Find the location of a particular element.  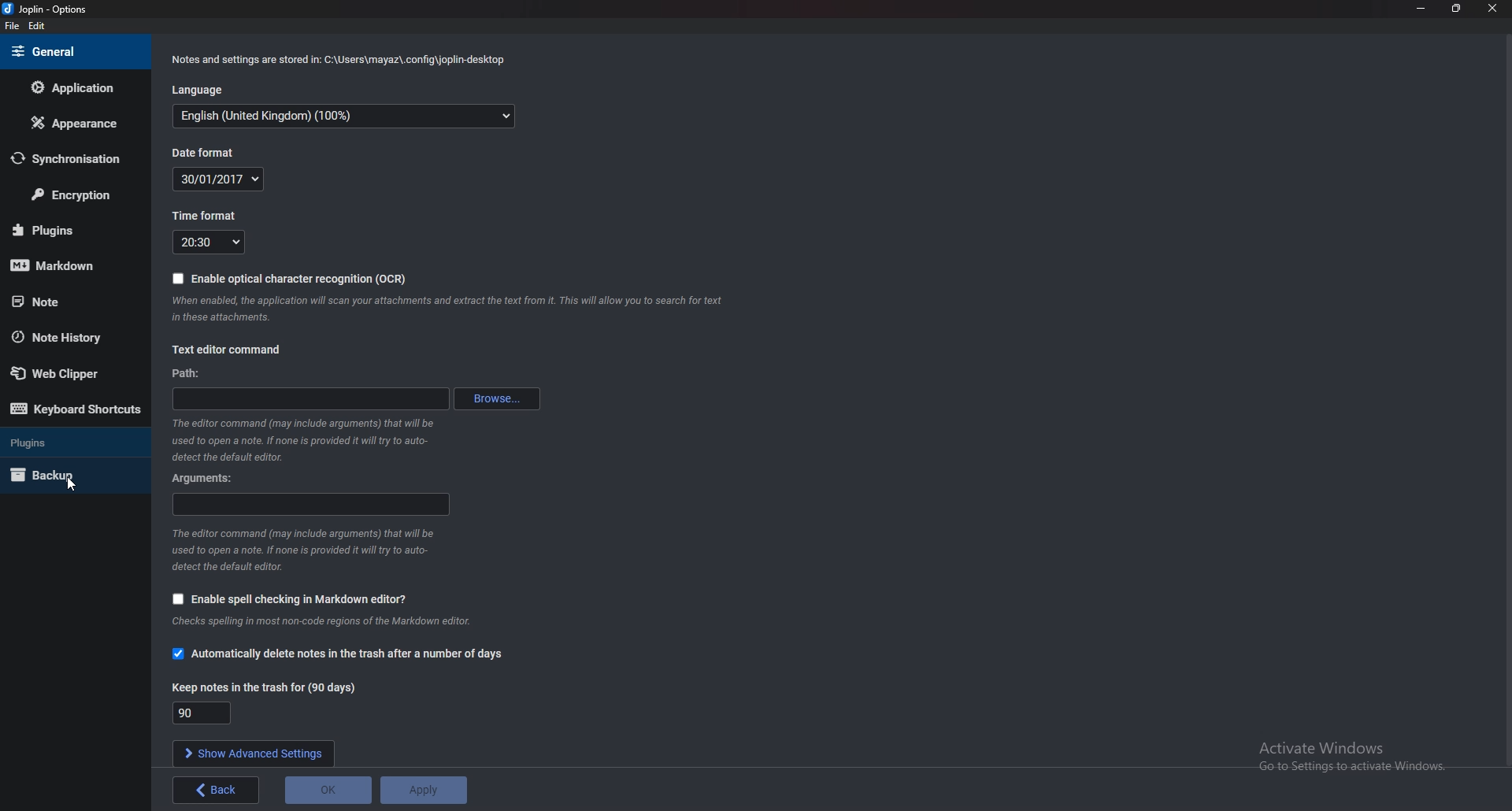

back is located at coordinates (216, 791).